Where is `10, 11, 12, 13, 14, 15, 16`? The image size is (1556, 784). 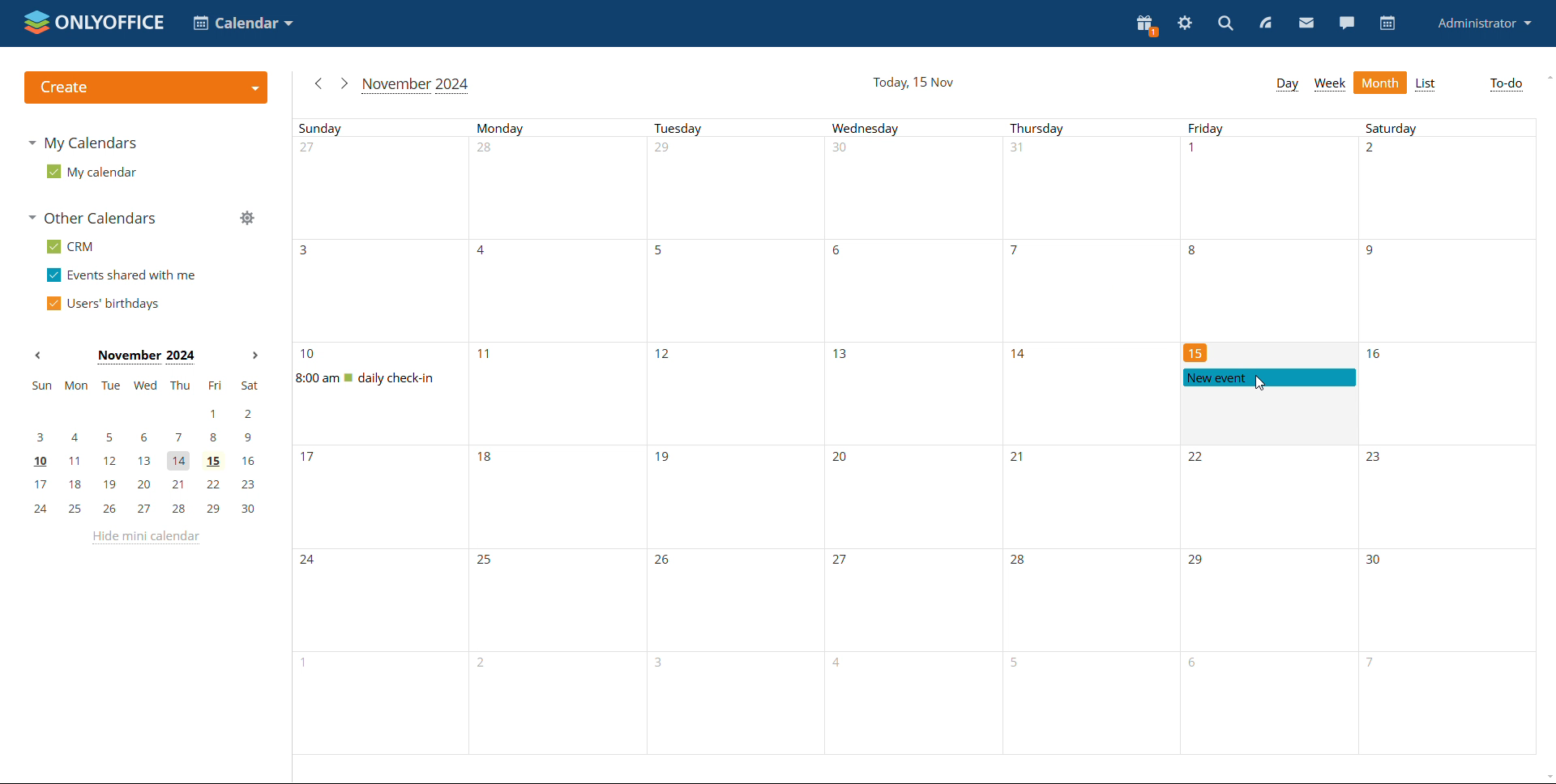 10, 11, 12, 13, 14, 15, 16 is located at coordinates (145, 460).